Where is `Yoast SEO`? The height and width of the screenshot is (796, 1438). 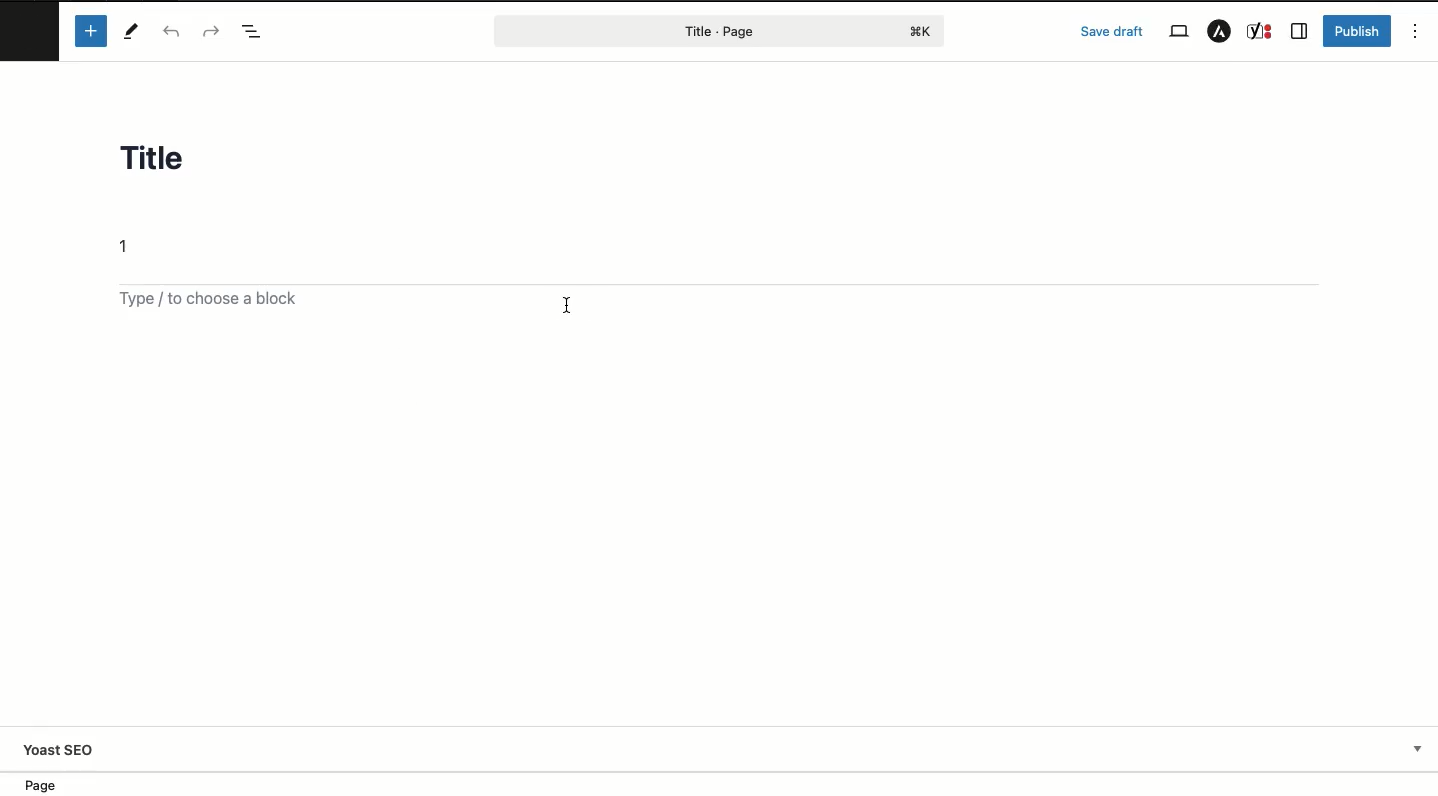
Yoast SEO is located at coordinates (61, 752).